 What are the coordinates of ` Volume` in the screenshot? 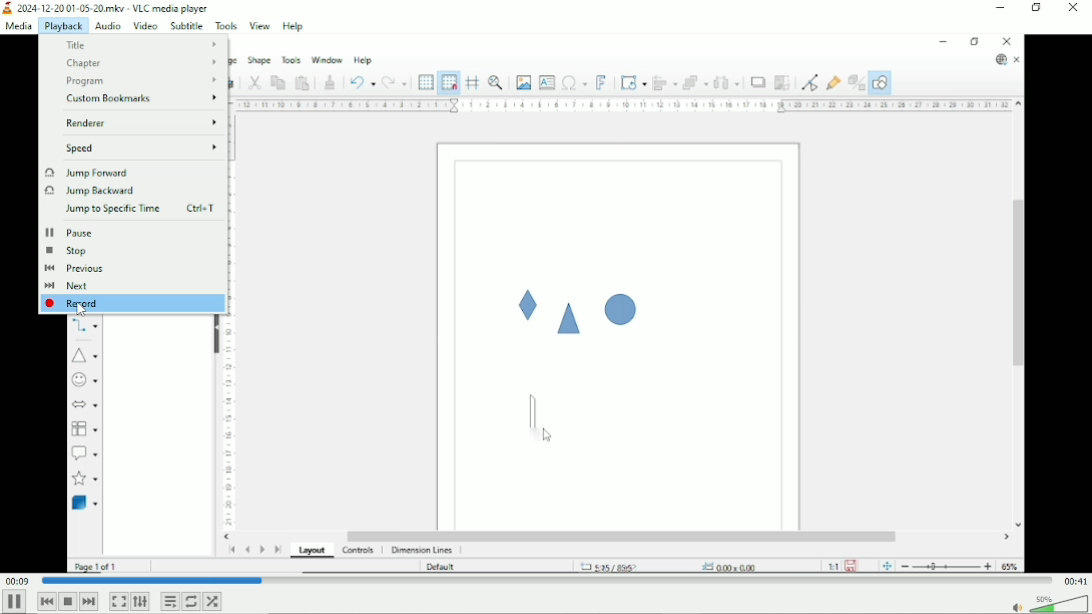 It's located at (1059, 603).